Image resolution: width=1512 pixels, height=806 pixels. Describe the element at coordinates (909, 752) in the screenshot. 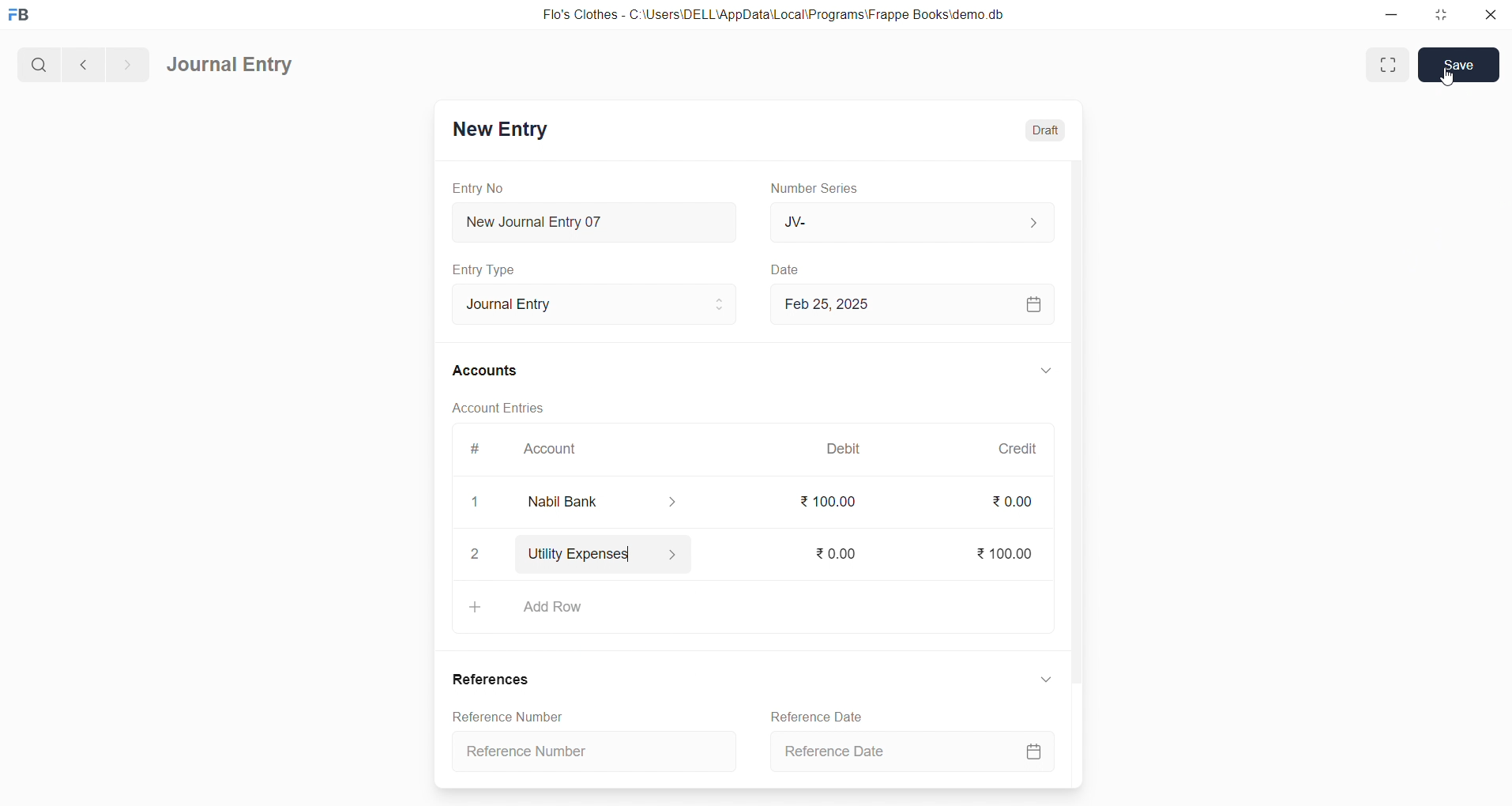

I see `Reference Date` at that location.